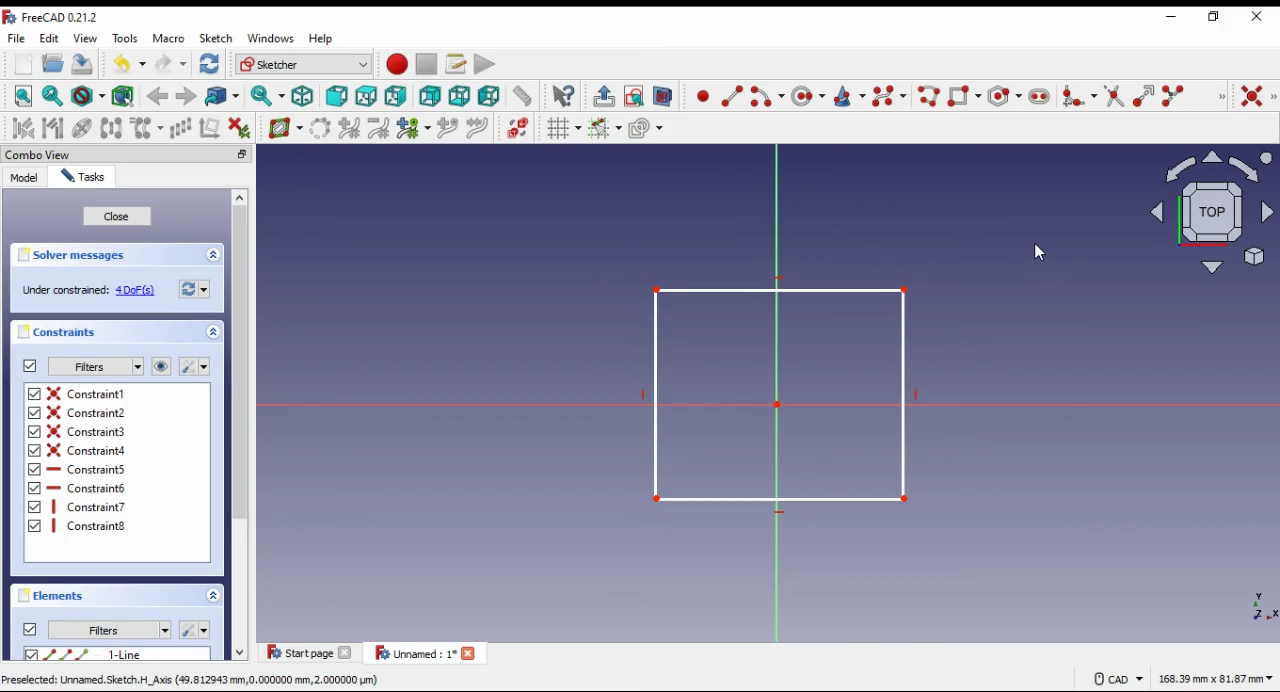 Image resolution: width=1280 pixels, height=692 pixels. Describe the element at coordinates (186, 97) in the screenshot. I see `forward` at that location.